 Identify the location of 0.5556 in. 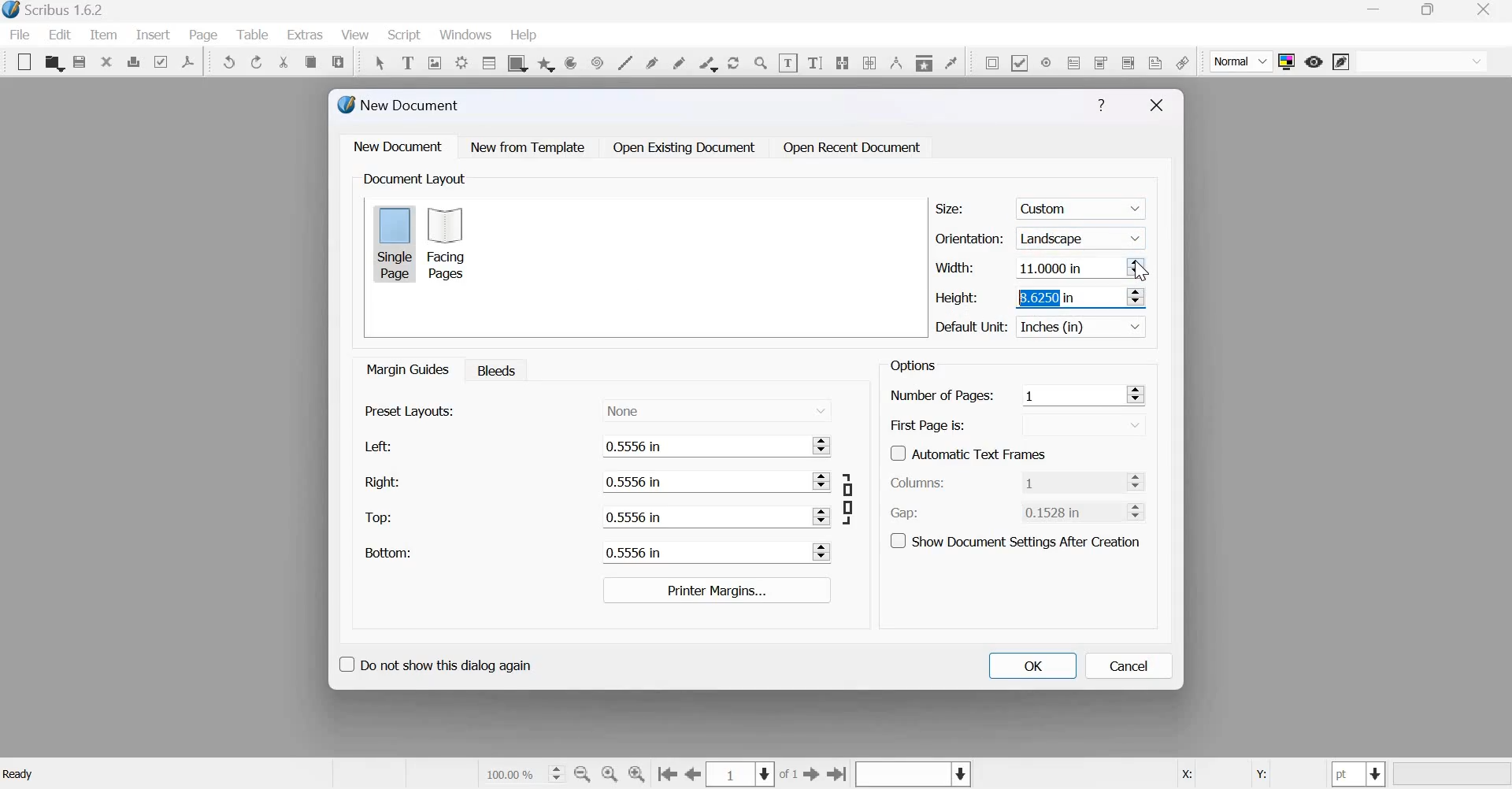
(699, 445).